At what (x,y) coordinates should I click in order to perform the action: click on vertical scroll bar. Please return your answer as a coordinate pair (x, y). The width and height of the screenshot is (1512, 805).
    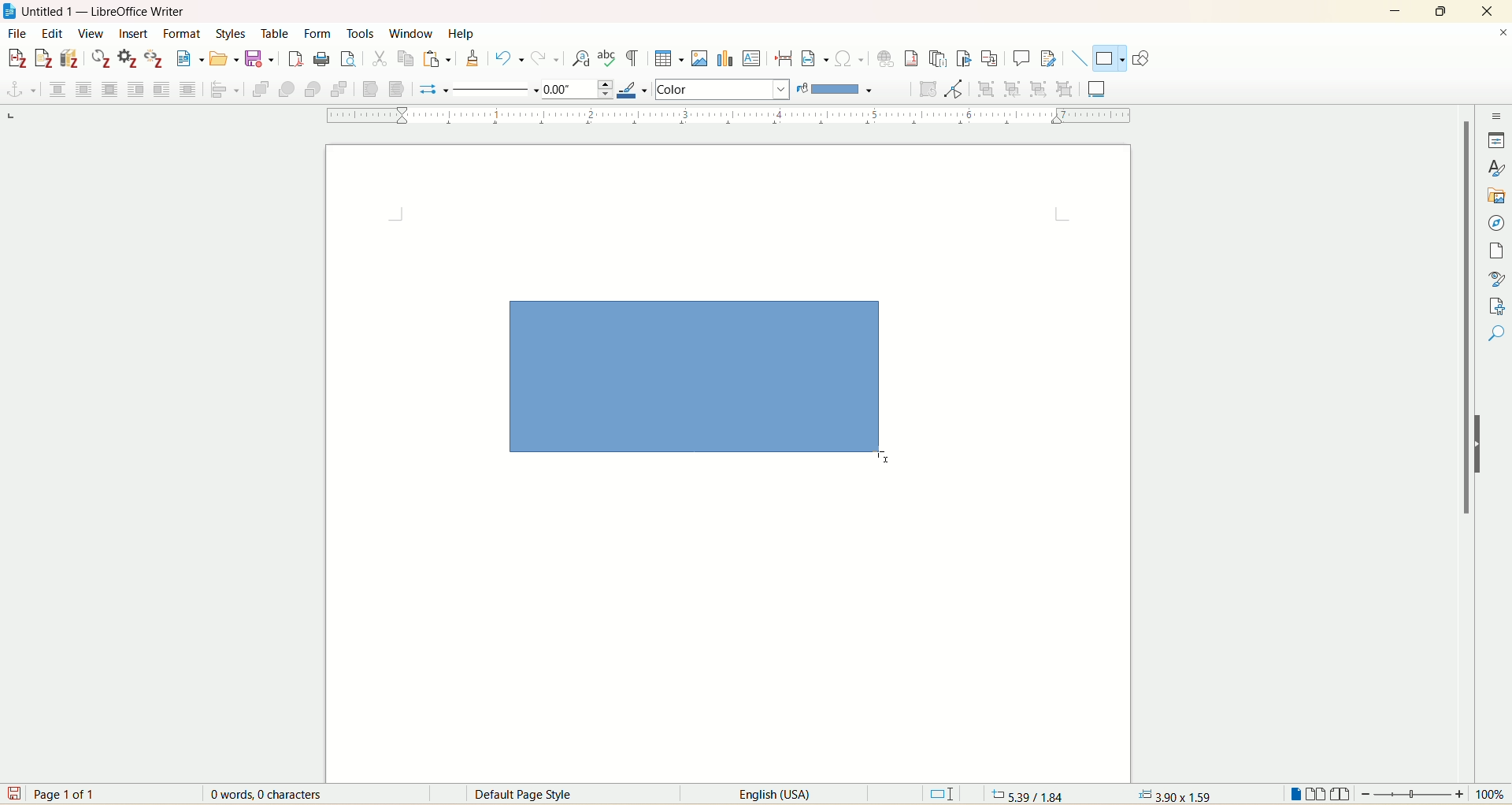
    Looking at the image, I should click on (1463, 432).